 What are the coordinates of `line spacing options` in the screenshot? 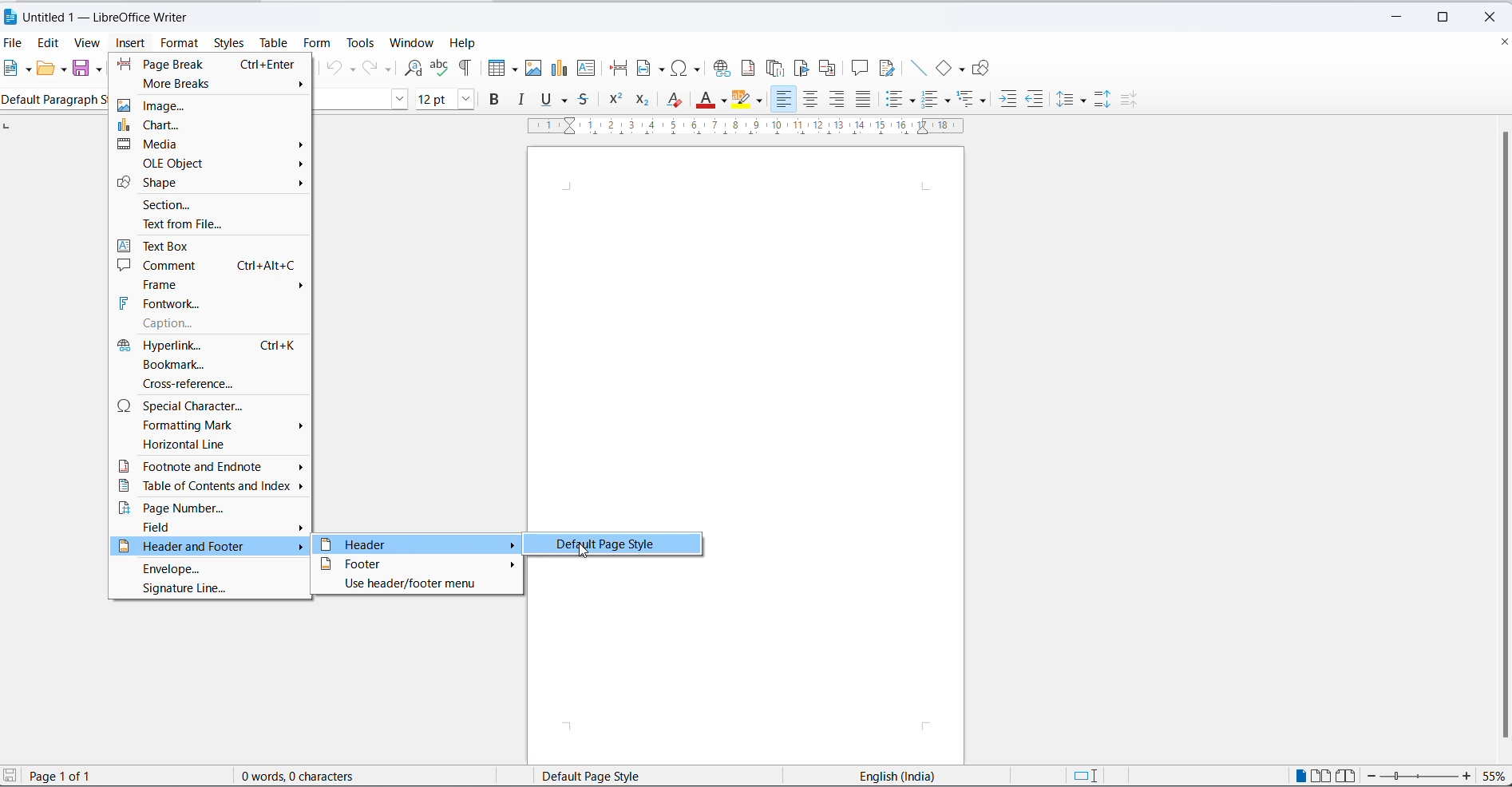 It's located at (1086, 100).